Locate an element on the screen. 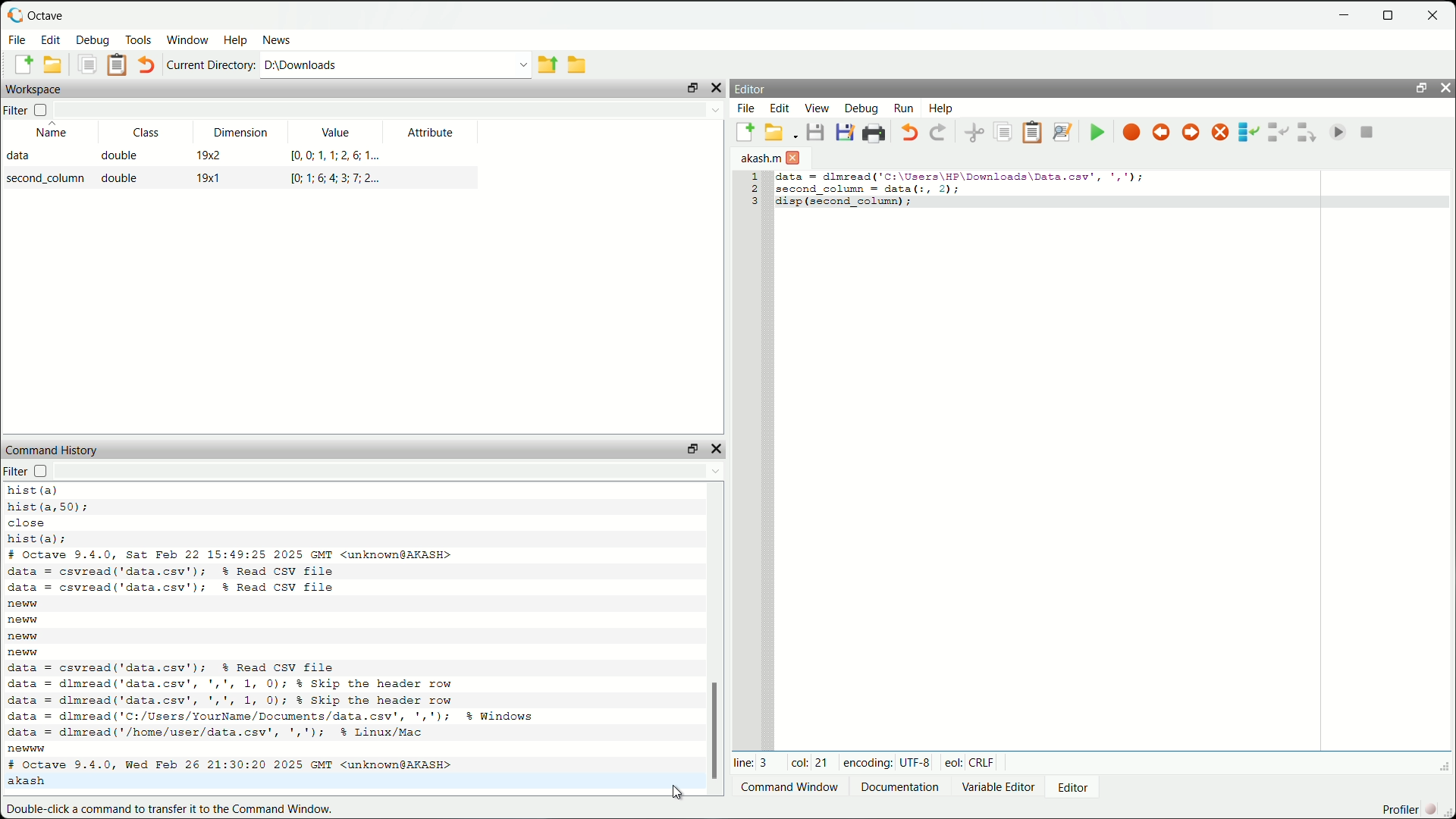  class is located at coordinates (145, 134).